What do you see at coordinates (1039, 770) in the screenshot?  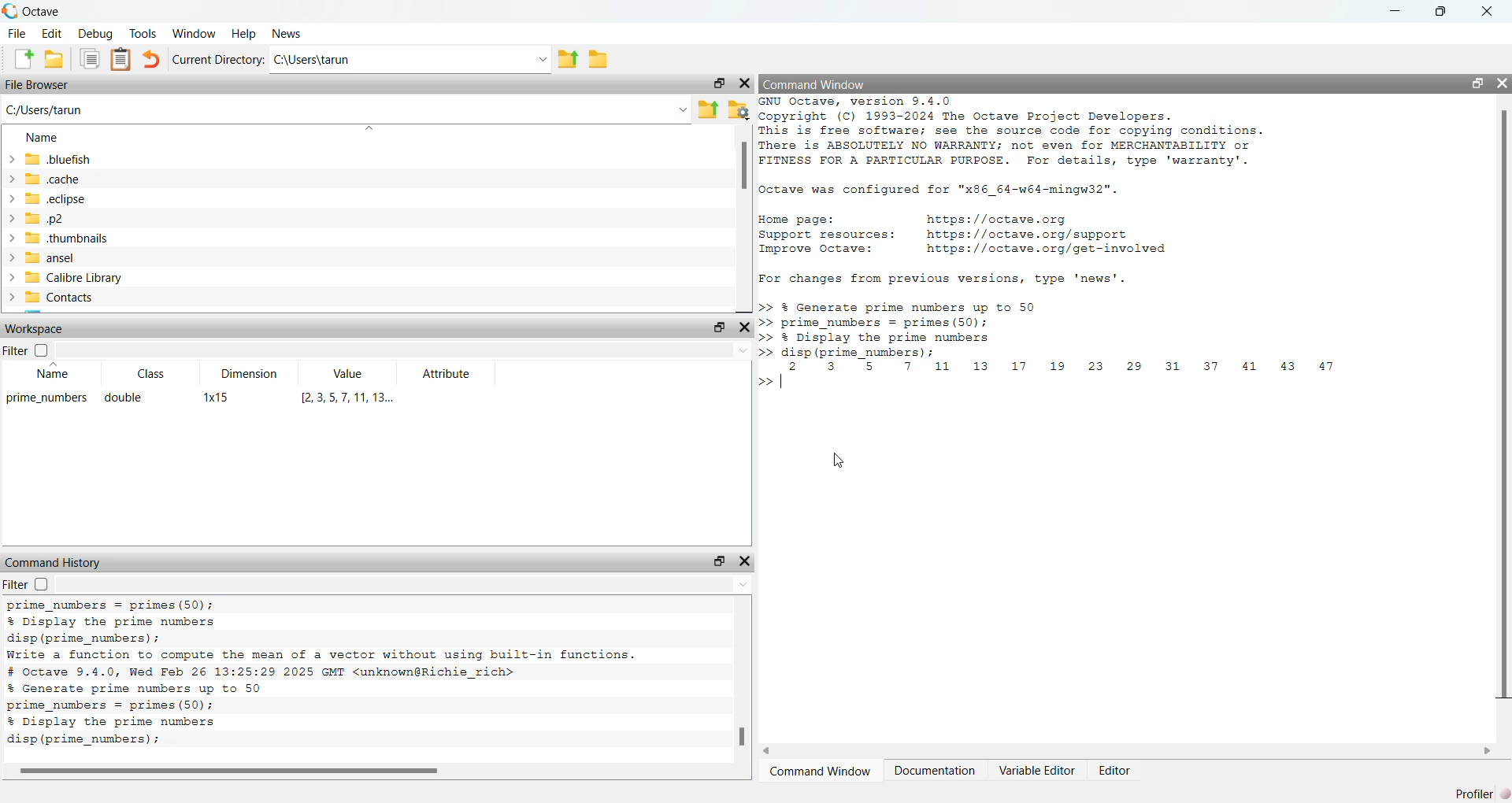 I see `Variable Editor` at bounding box center [1039, 770].